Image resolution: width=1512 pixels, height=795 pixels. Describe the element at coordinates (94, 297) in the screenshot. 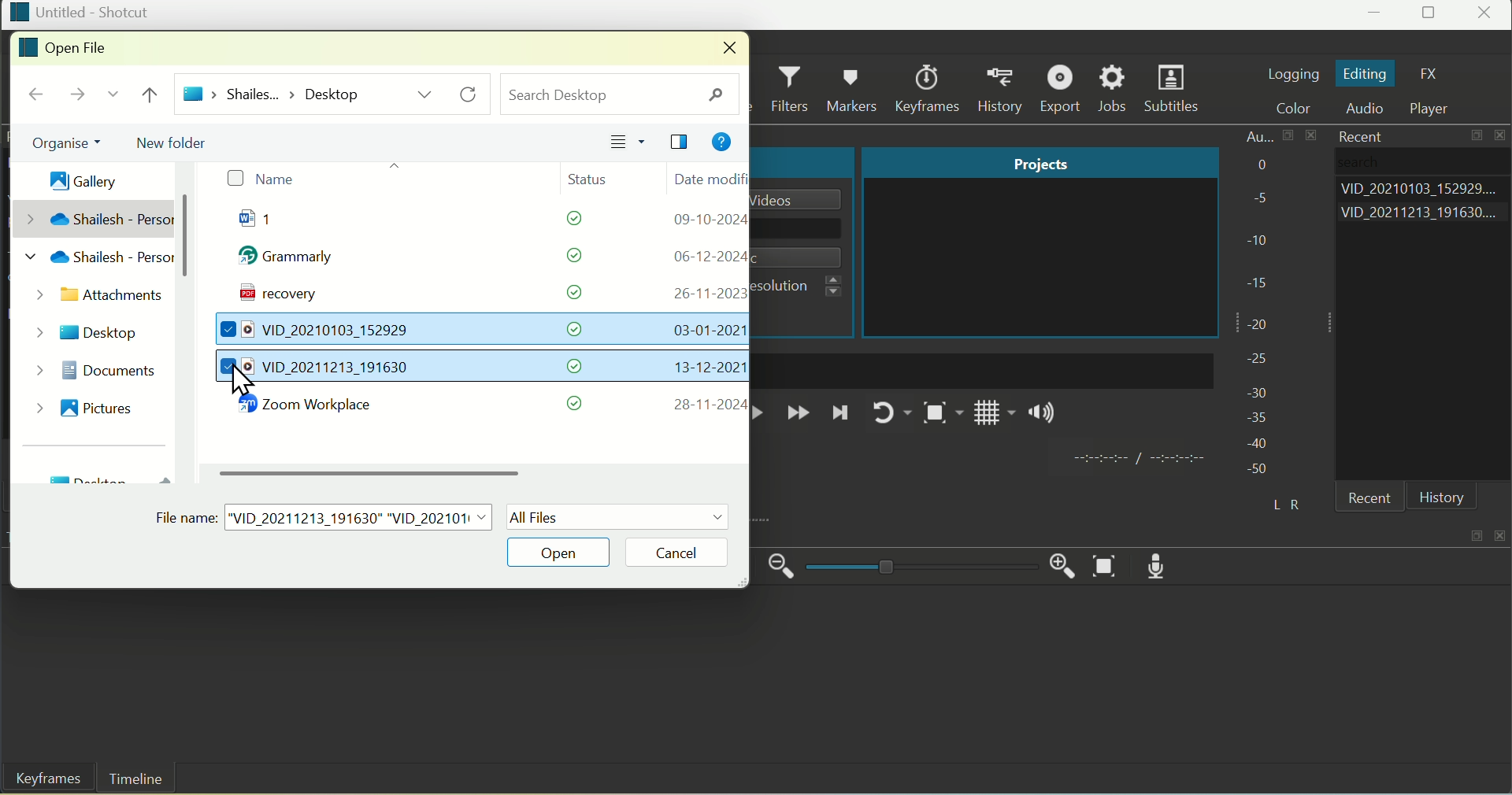

I see `Attachments` at that location.